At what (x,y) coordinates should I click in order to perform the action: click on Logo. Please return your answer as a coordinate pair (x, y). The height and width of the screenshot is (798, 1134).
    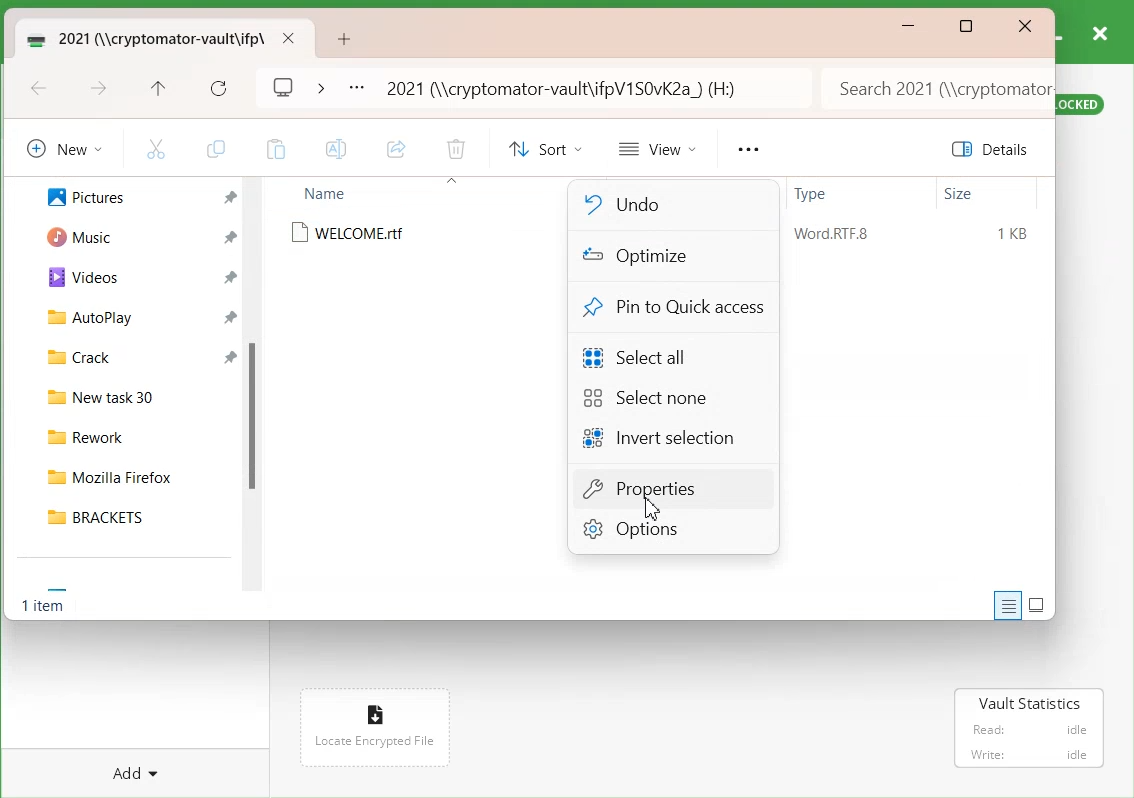
    Looking at the image, I should click on (284, 85).